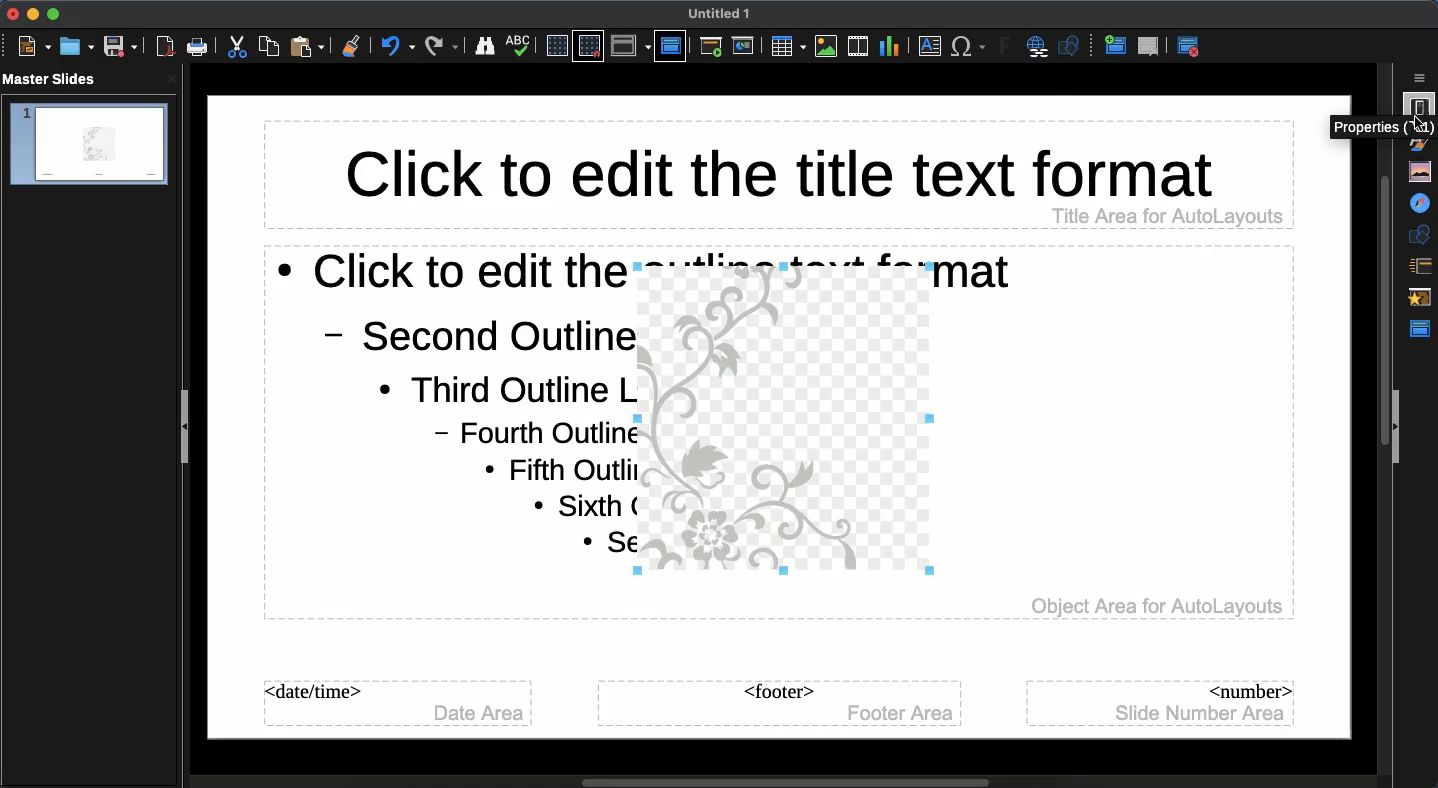 The image size is (1438, 788). Describe the element at coordinates (969, 47) in the screenshot. I see `Special characters` at that location.